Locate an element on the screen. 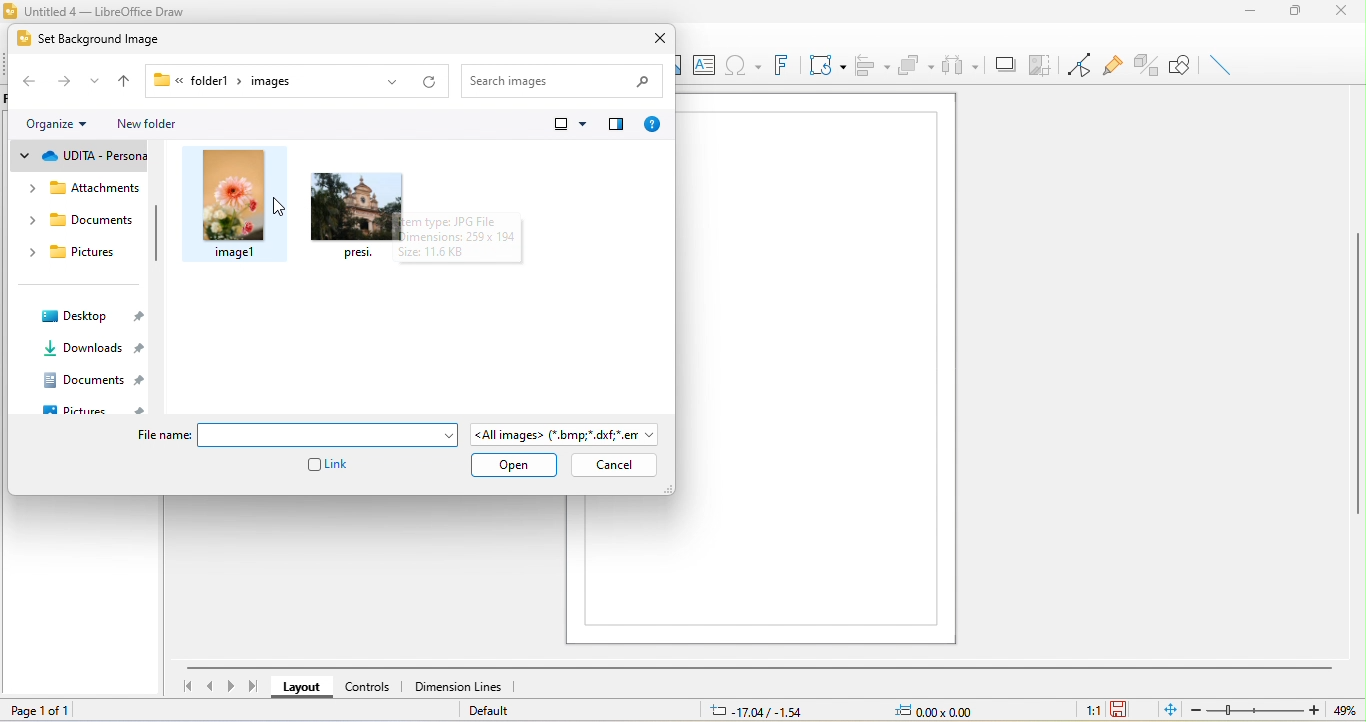  close is located at coordinates (1346, 13).